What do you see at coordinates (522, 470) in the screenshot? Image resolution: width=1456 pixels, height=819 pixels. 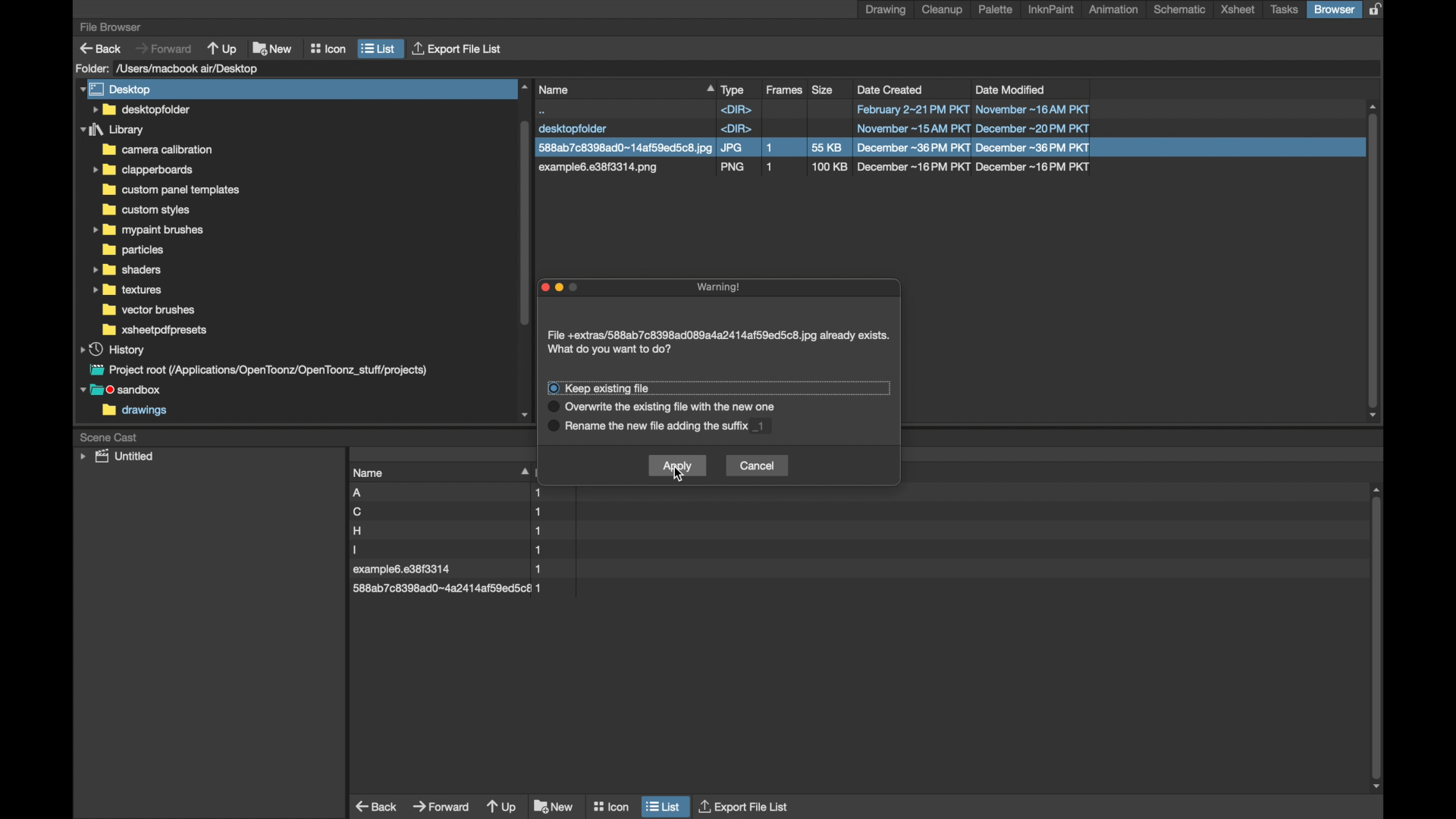 I see `drag handle` at bounding box center [522, 470].